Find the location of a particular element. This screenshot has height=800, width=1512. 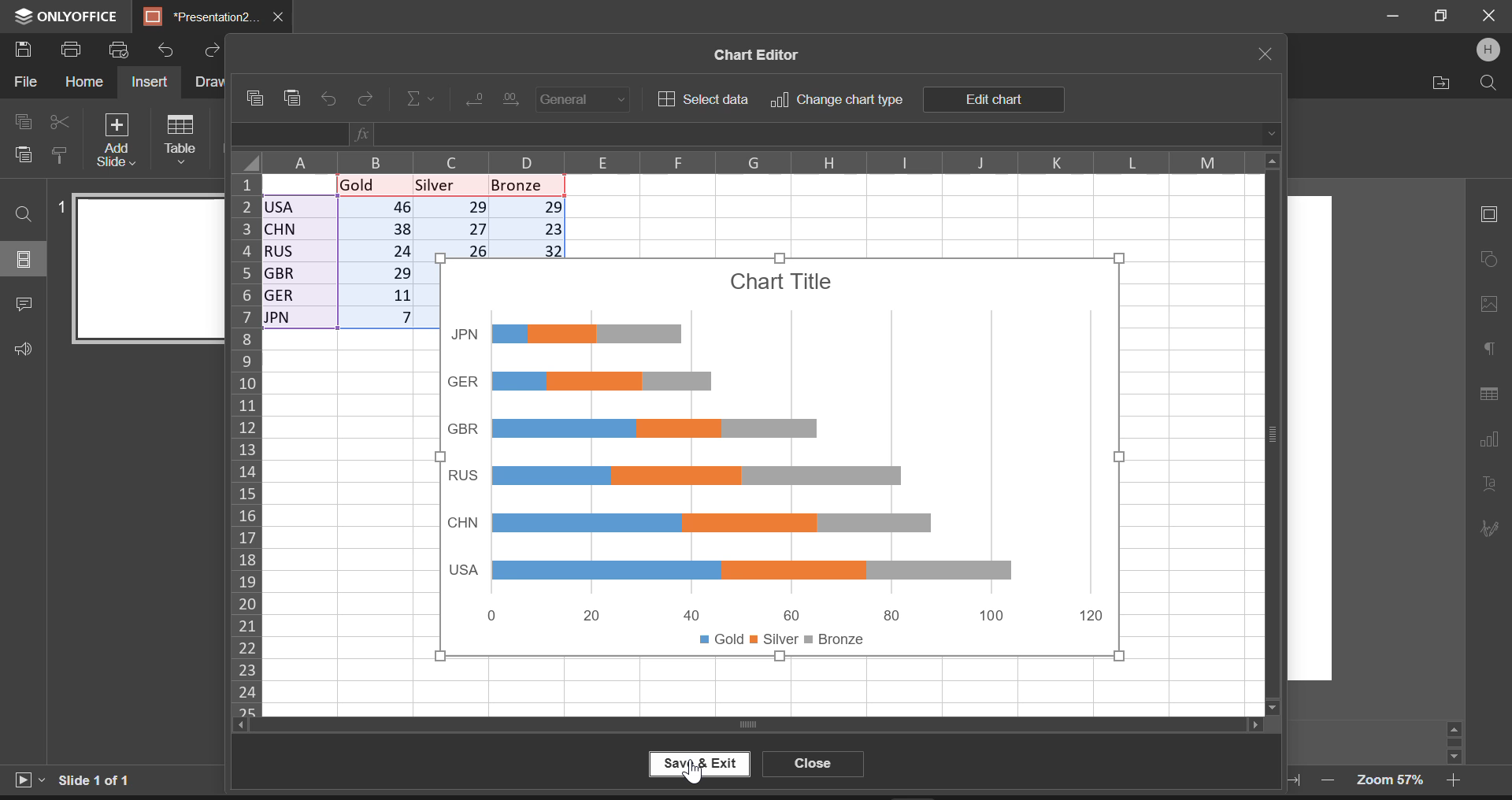

Slides is located at coordinates (25, 259).